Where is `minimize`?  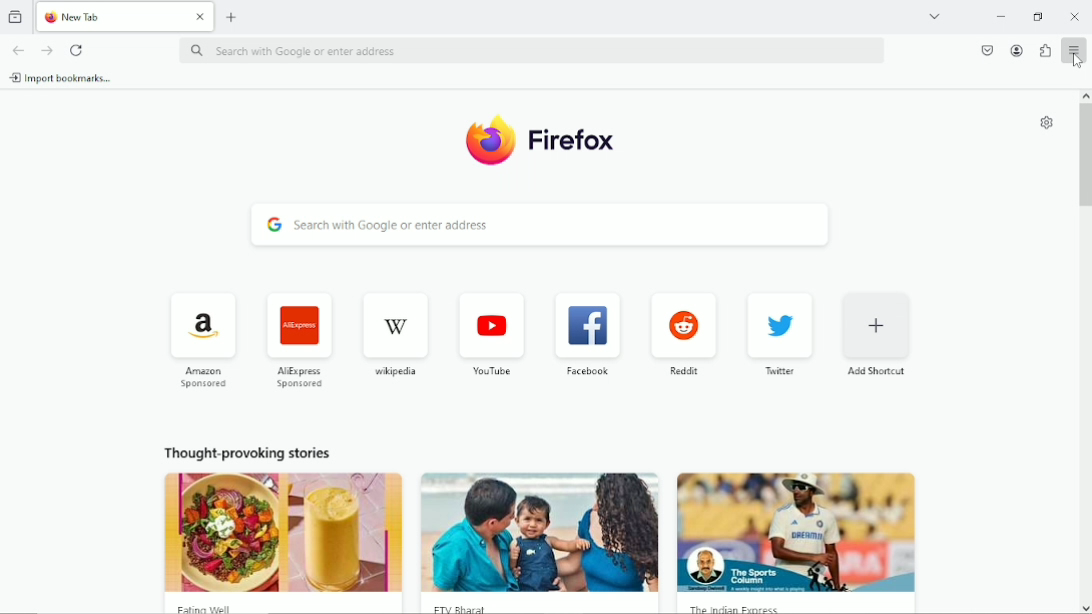
minimize is located at coordinates (1002, 16).